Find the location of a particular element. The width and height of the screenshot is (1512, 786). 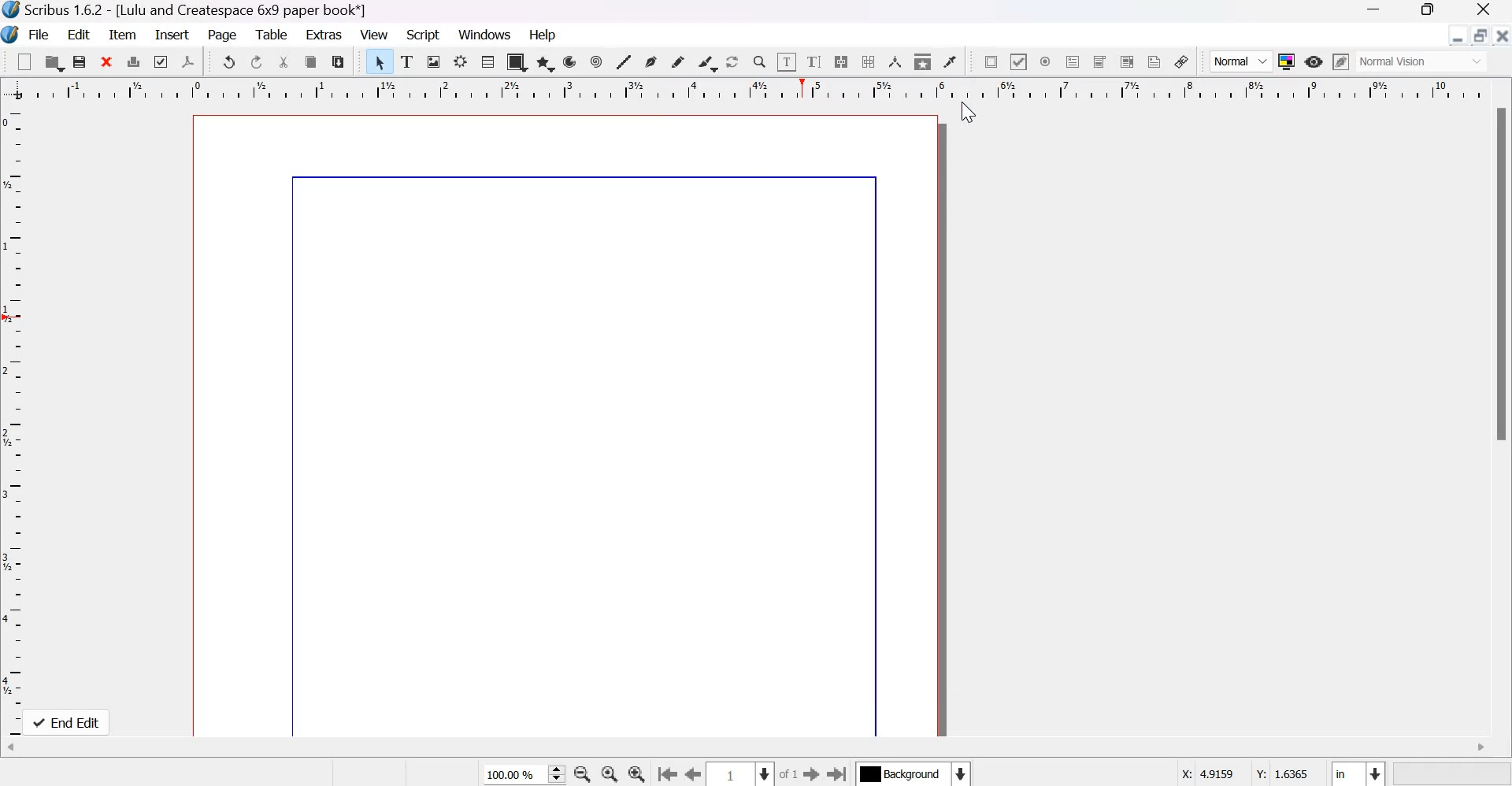

Insert is located at coordinates (172, 35).